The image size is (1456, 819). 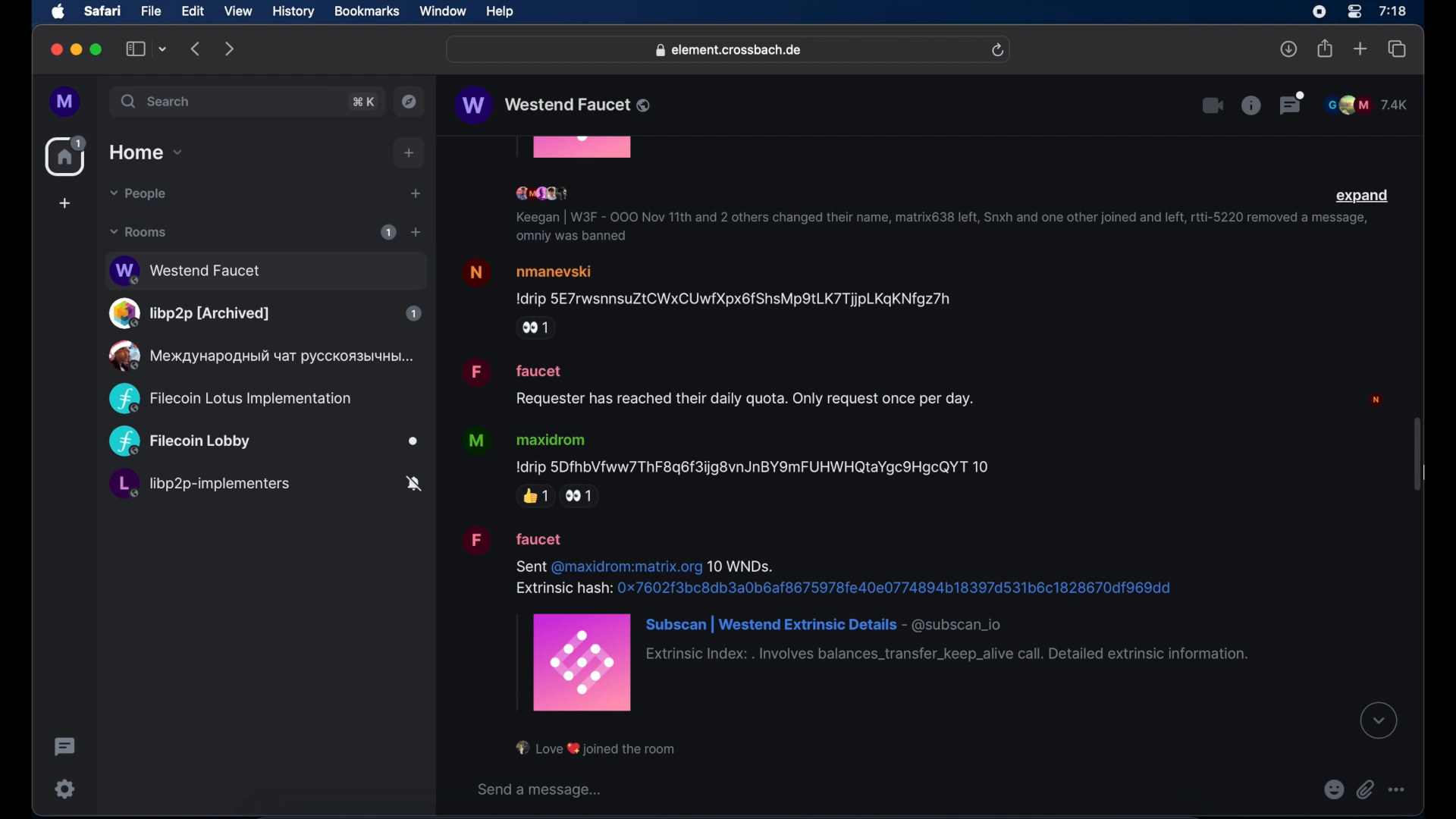 What do you see at coordinates (102, 11) in the screenshot?
I see `safari` at bounding box center [102, 11].